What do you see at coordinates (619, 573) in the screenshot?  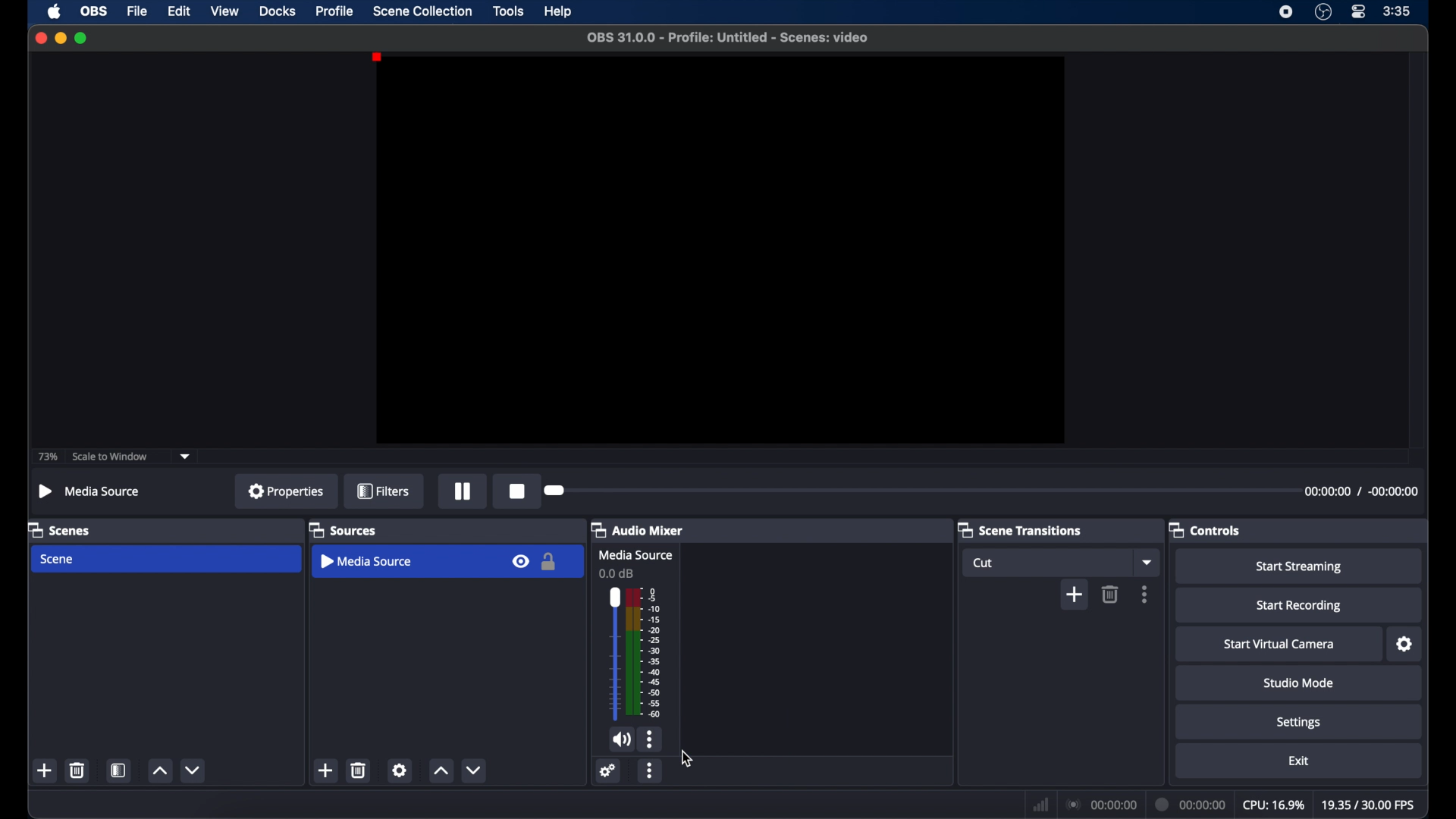 I see `0.0 dB` at bounding box center [619, 573].